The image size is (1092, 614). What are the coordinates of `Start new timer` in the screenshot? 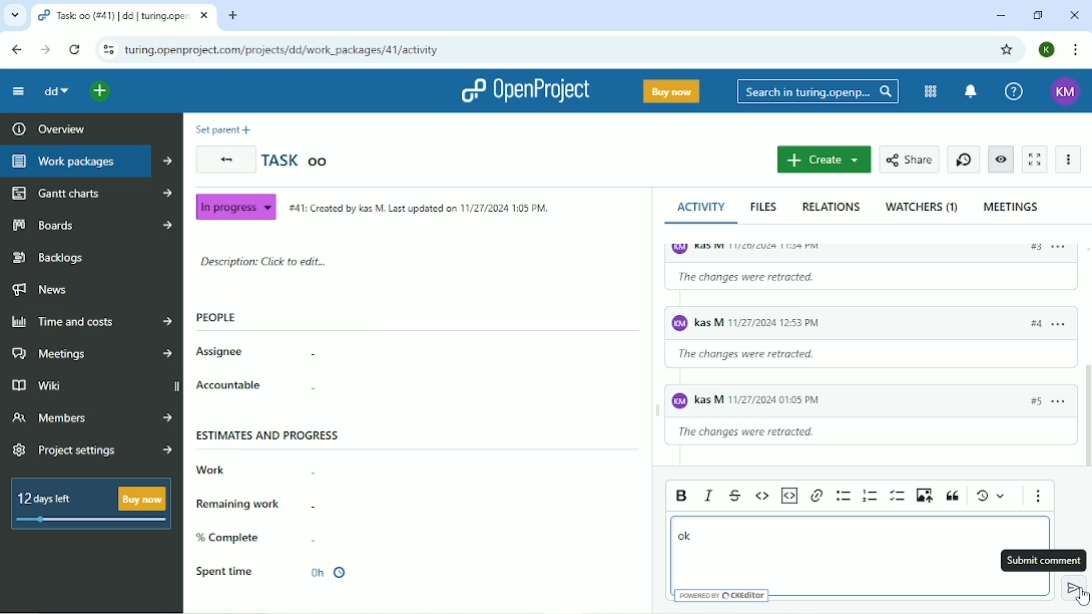 It's located at (963, 160).